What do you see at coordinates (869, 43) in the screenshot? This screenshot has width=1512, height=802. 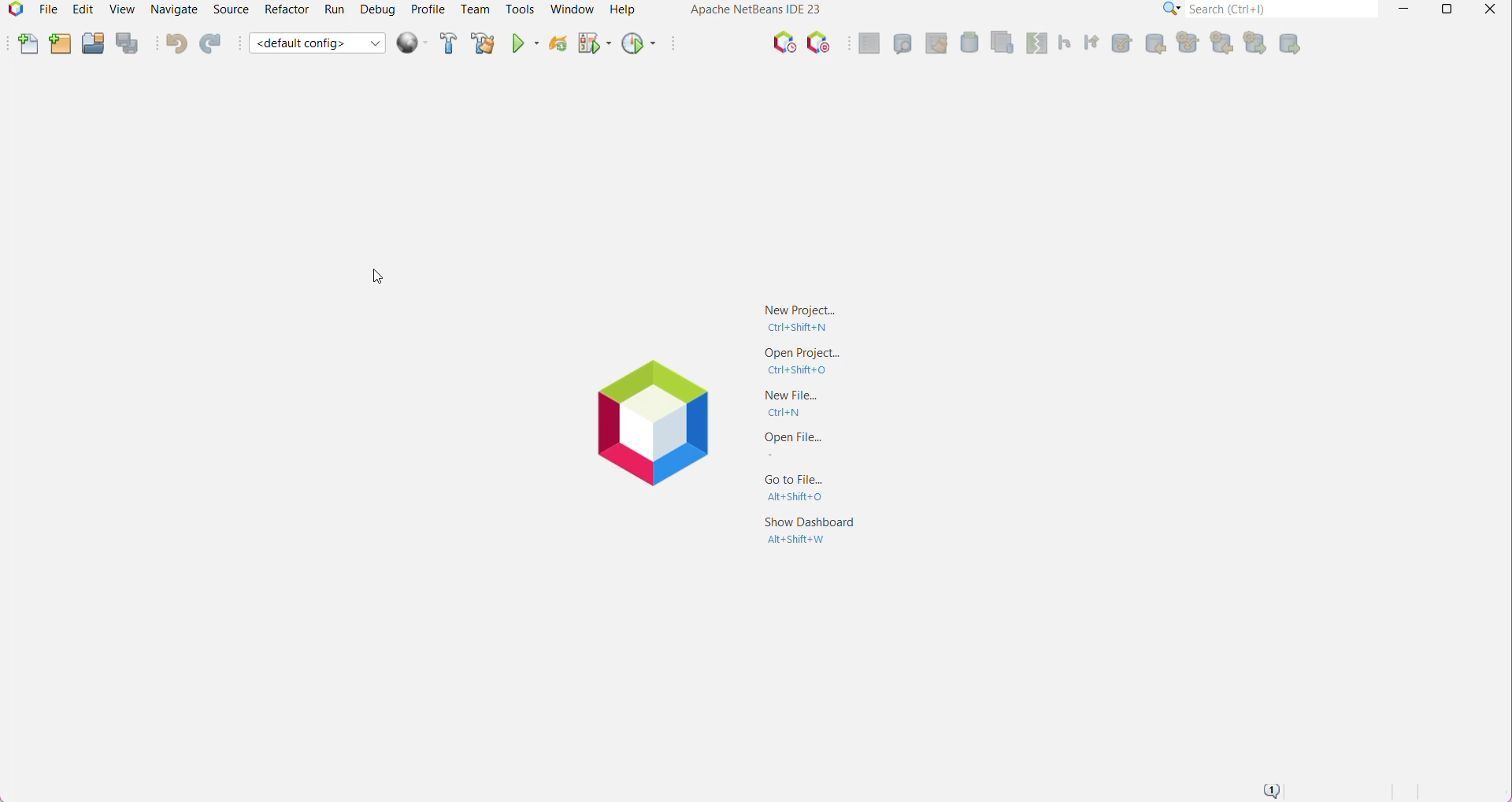 I see `Show Annotations` at bounding box center [869, 43].